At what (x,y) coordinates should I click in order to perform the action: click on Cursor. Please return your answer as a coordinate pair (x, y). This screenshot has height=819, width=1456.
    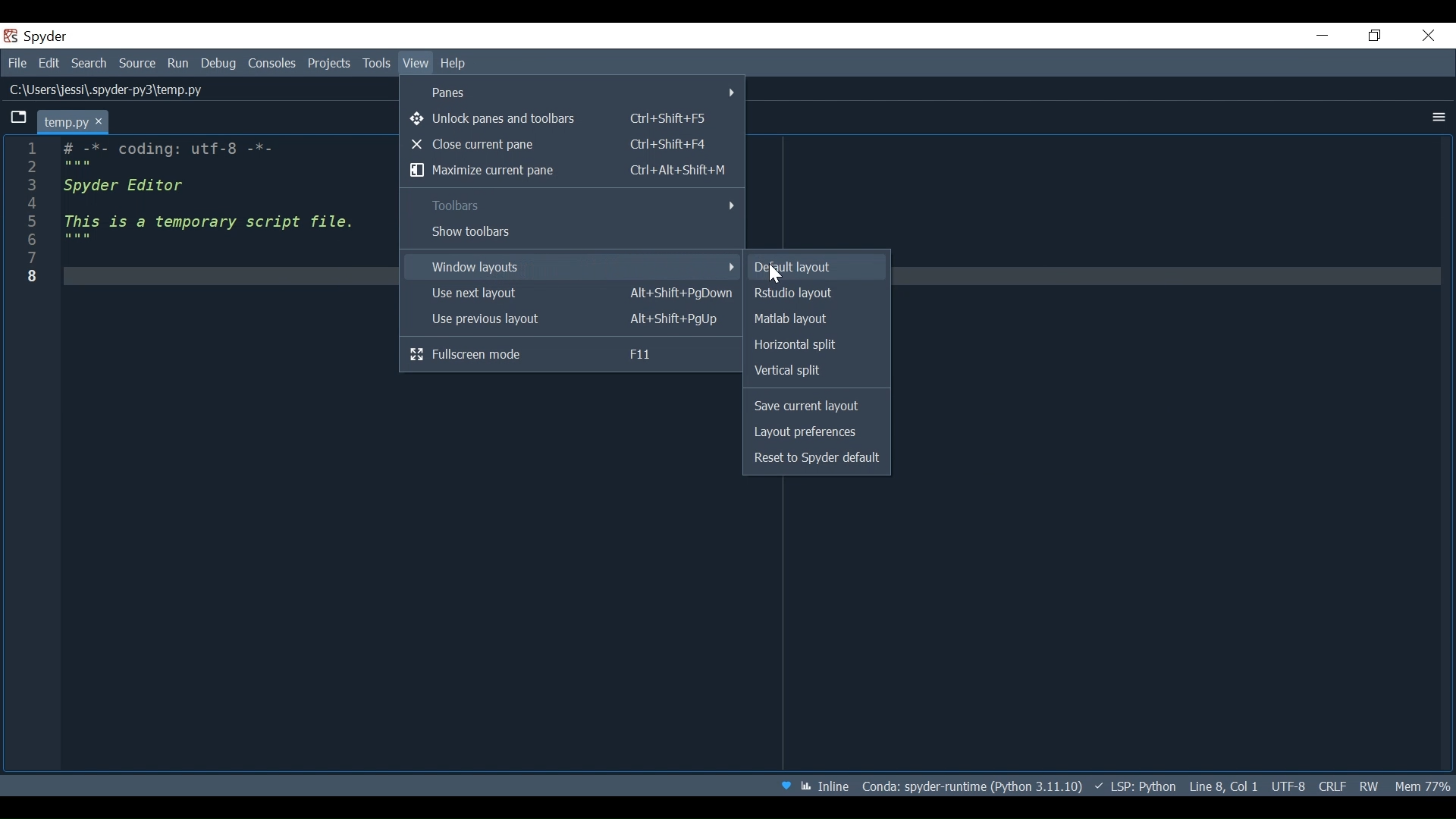
    Looking at the image, I should click on (776, 276).